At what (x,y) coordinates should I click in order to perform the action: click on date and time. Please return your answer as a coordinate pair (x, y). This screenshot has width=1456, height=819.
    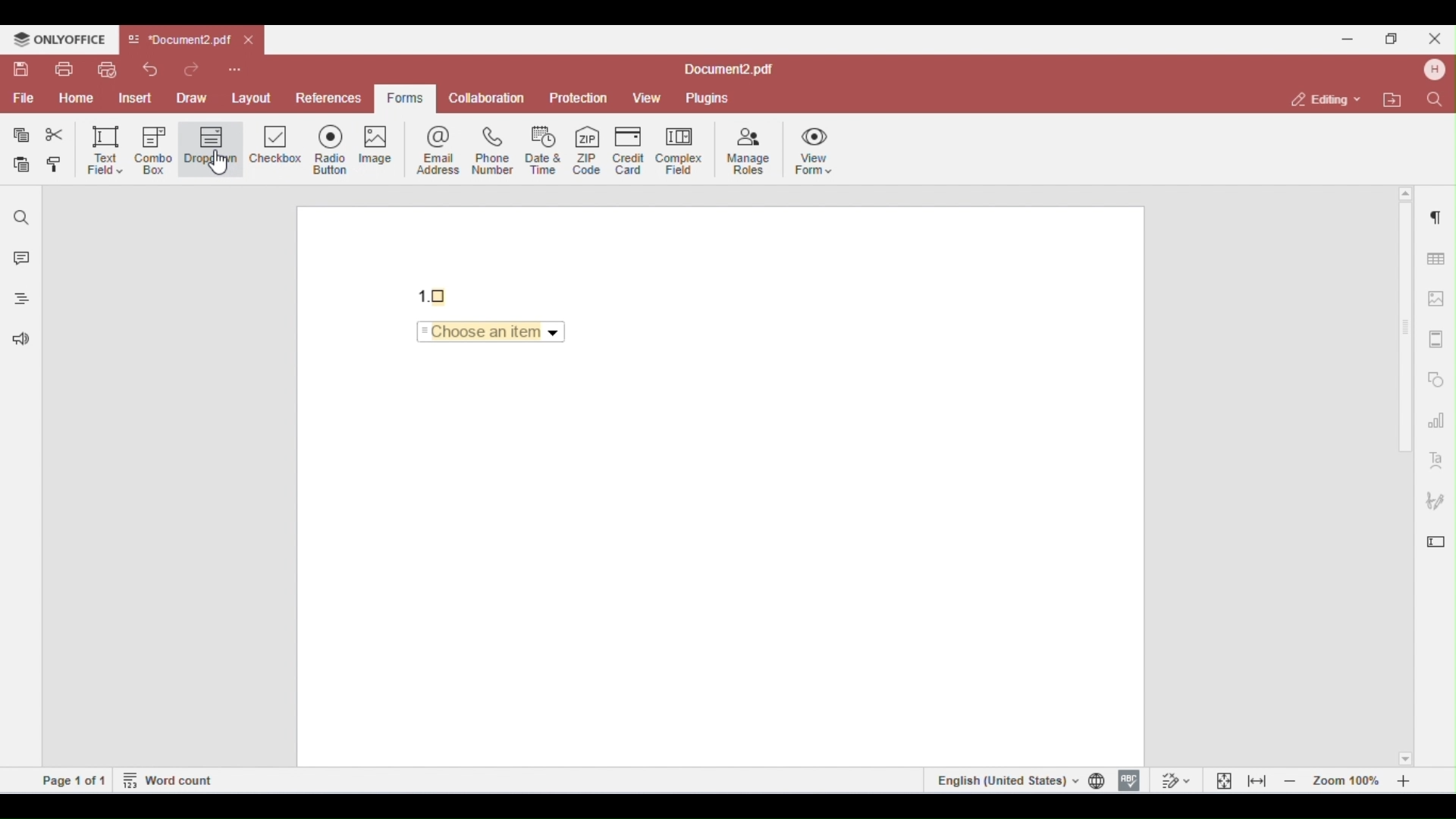
    Looking at the image, I should click on (544, 149).